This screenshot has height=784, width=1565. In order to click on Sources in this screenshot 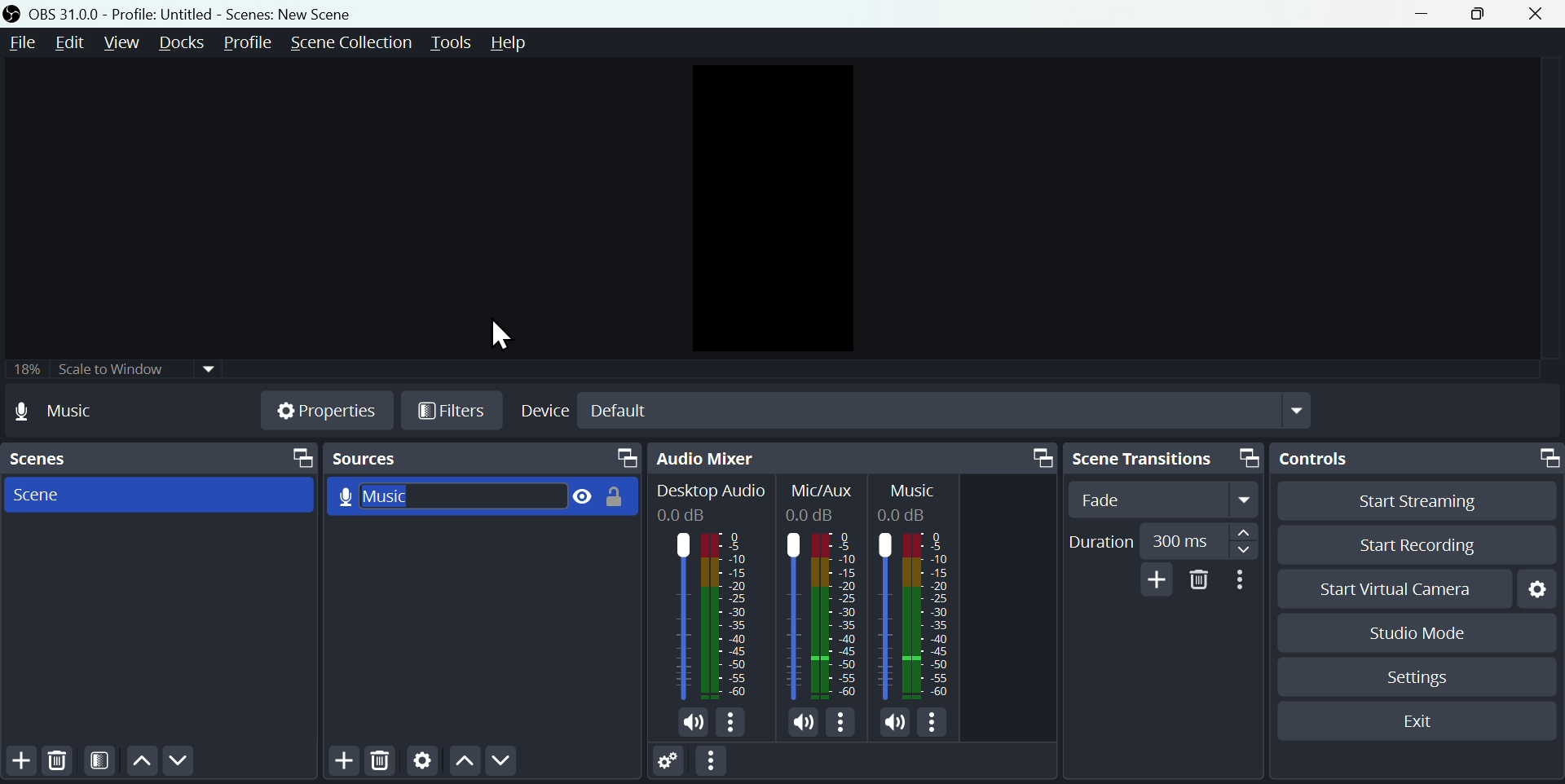, I will do `click(482, 460)`.